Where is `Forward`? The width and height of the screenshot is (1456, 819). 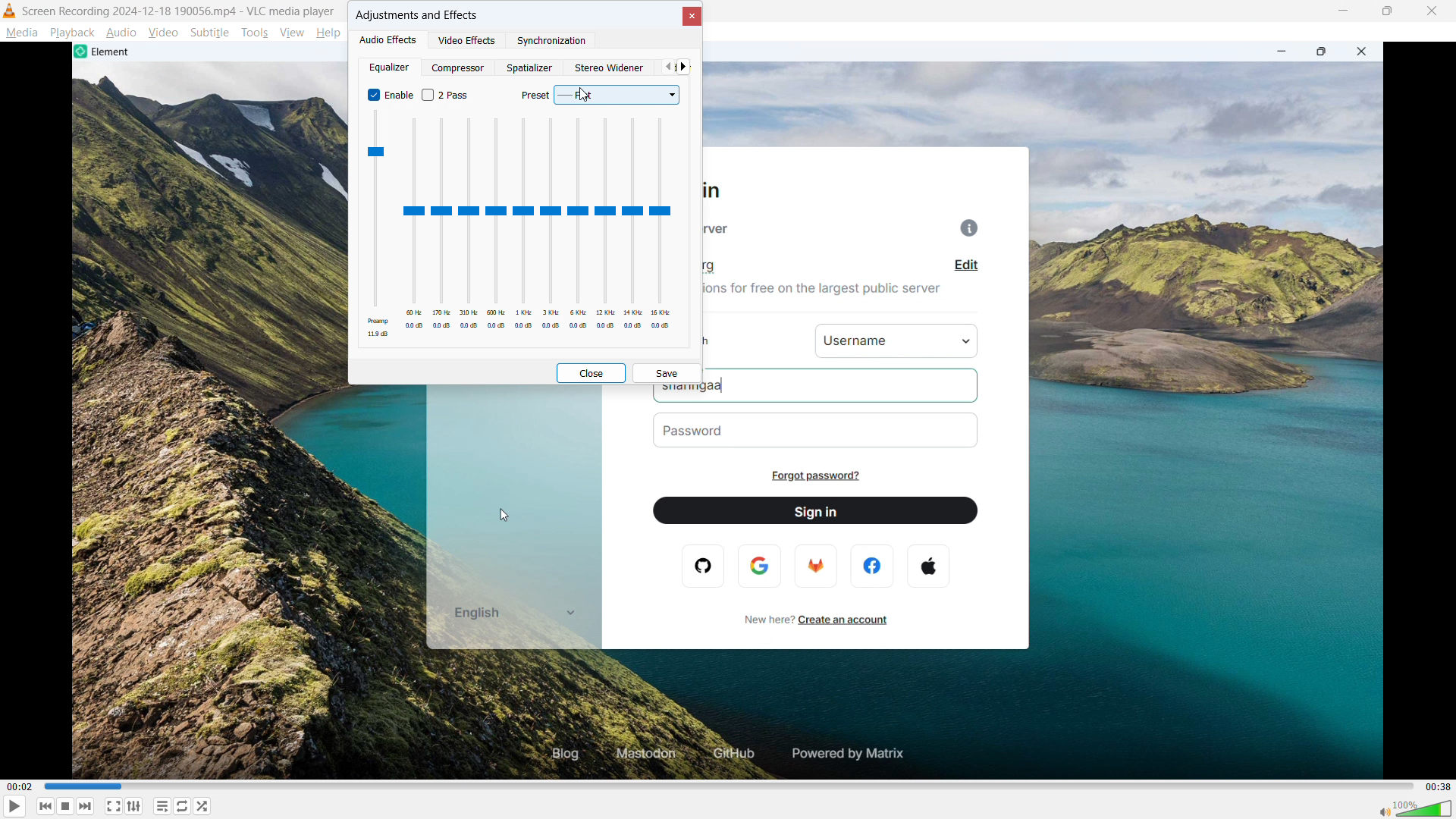
Forward is located at coordinates (89, 806).